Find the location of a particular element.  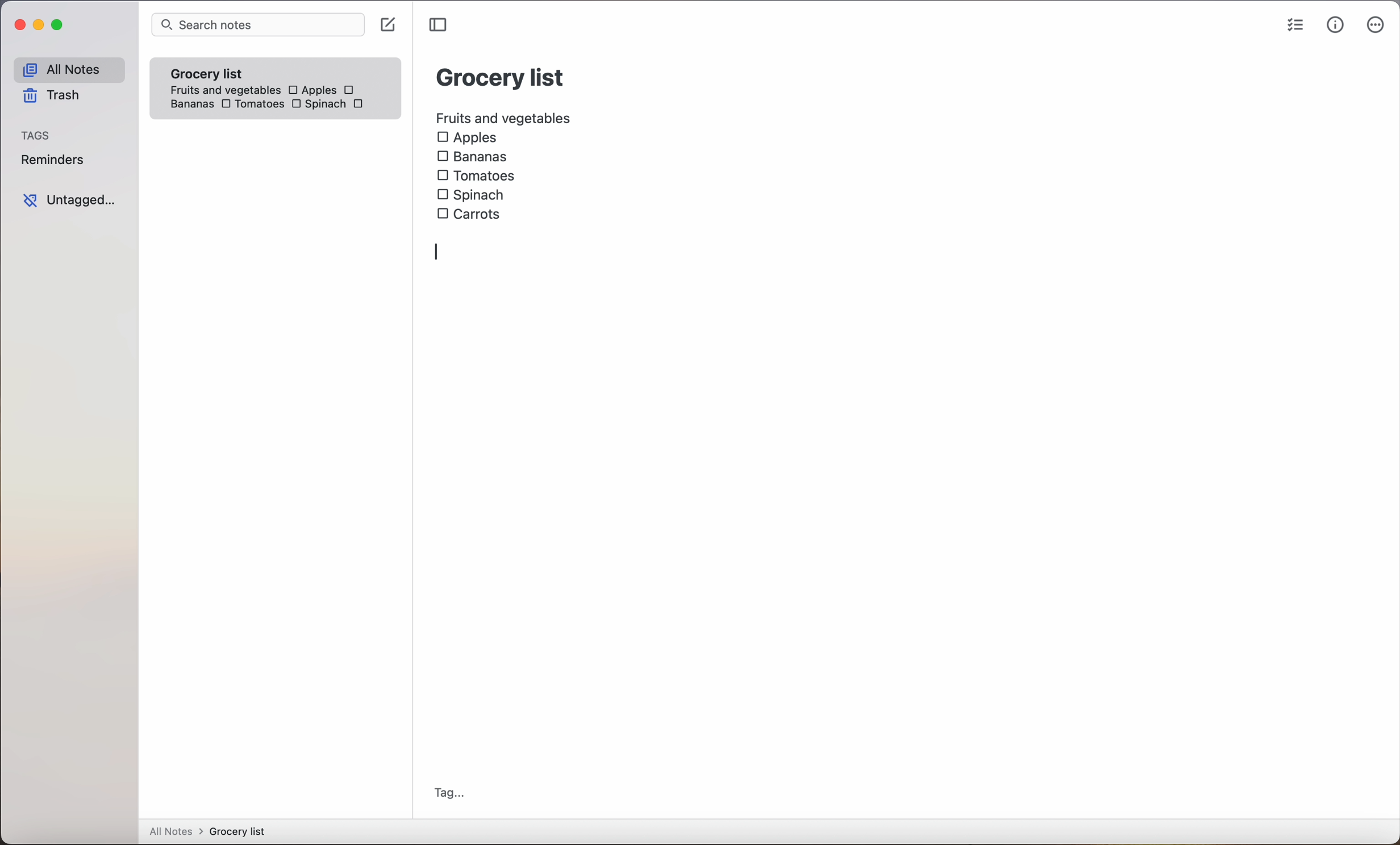

untagged is located at coordinates (69, 200).